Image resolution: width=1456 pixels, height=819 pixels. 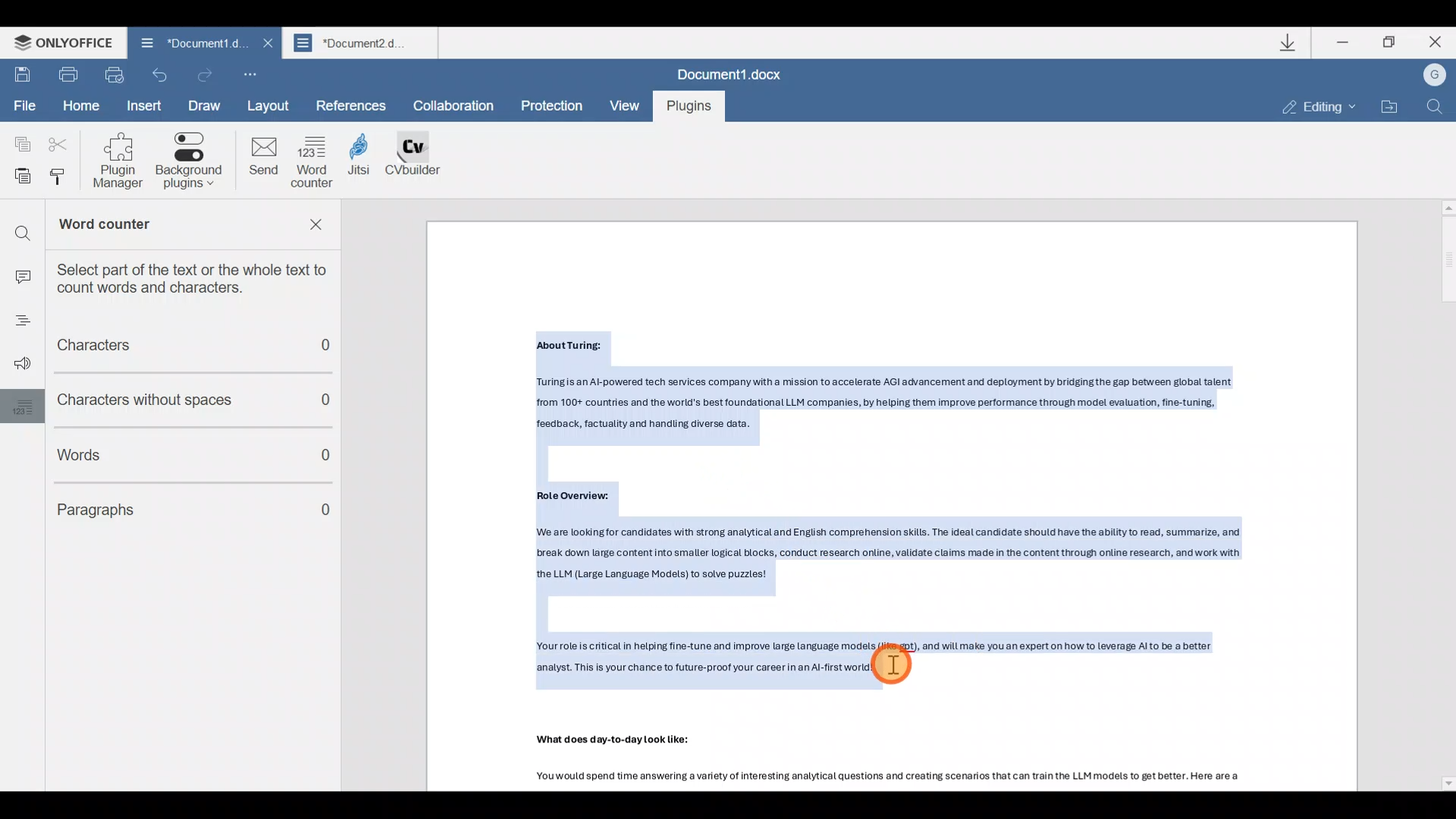 What do you see at coordinates (150, 226) in the screenshot?
I see `Word counter` at bounding box center [150, 226].